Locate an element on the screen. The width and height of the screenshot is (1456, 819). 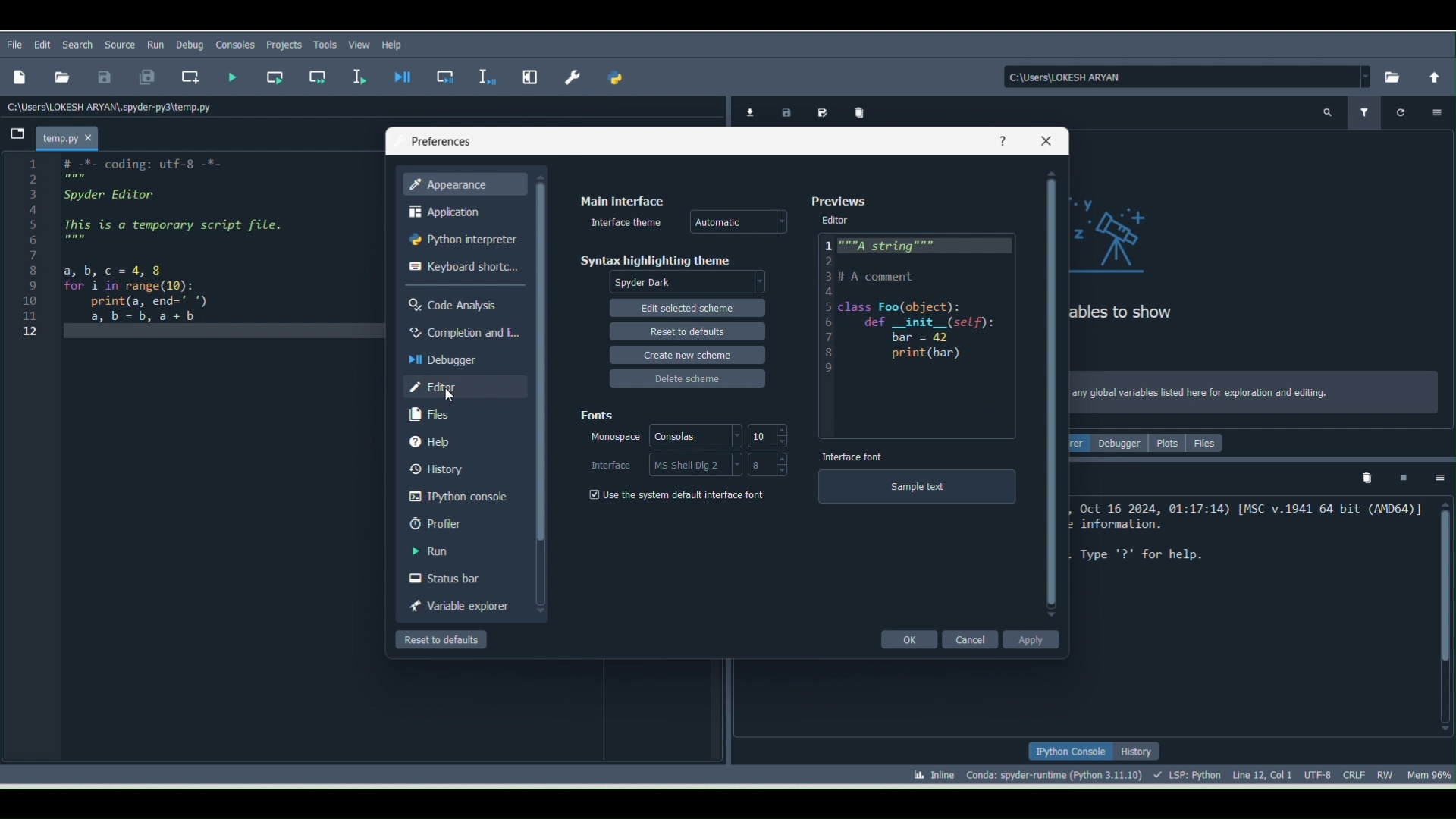
File name is located at coordinates (71, 136).